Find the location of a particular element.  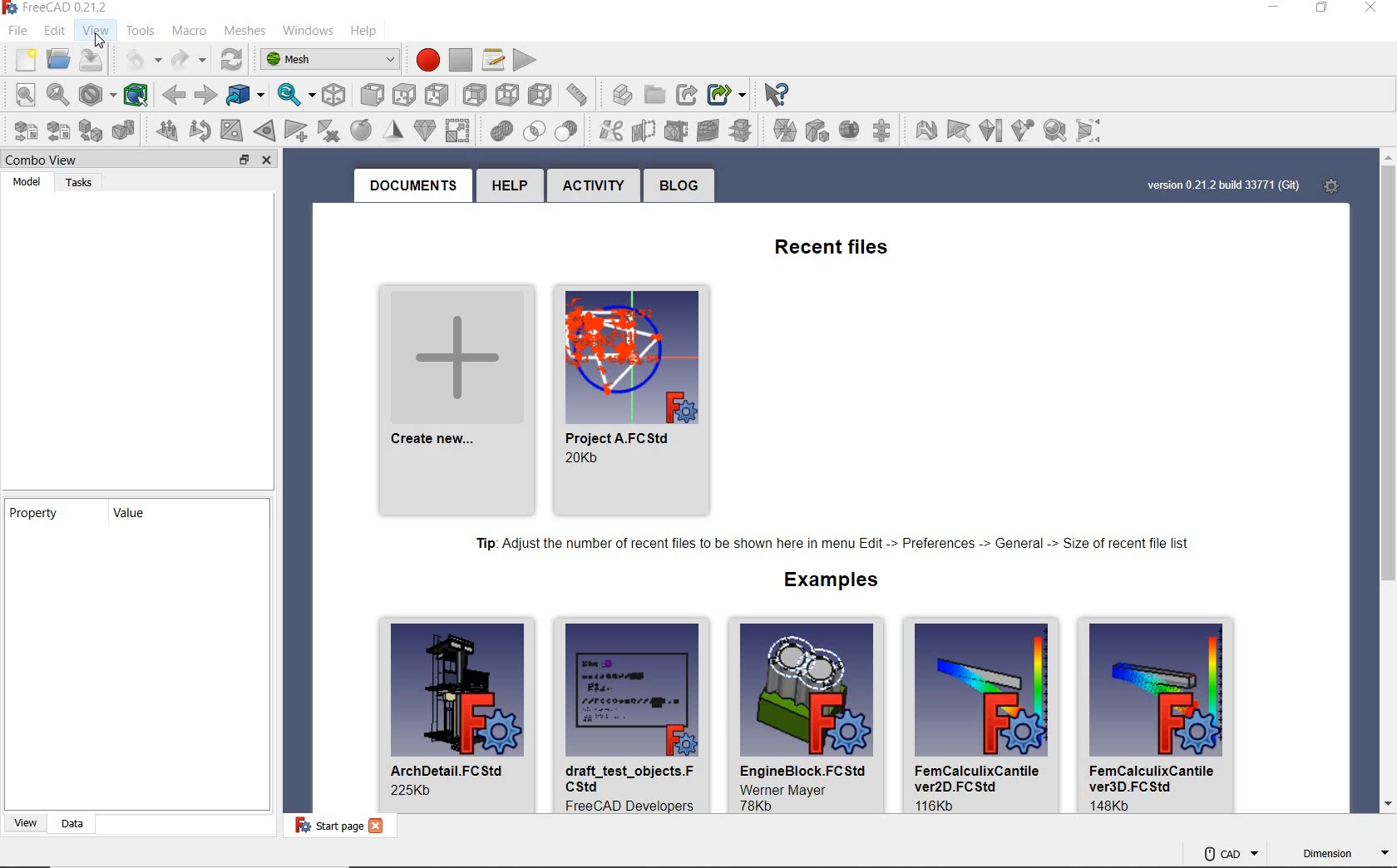

recent files is located at coordinates (816, 244).